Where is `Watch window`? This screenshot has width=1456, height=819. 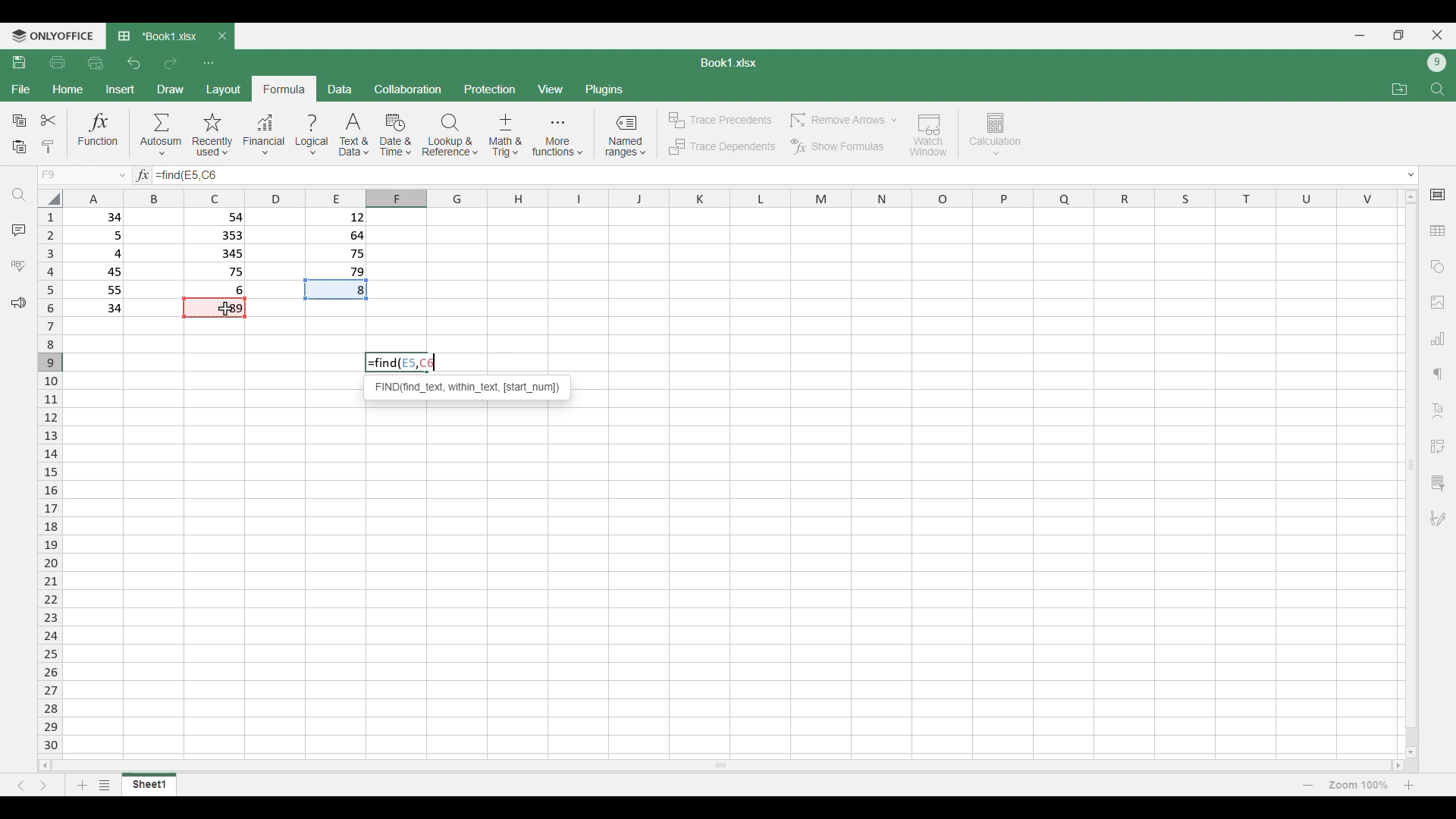
Watch window is located at coordinates (929, 135).